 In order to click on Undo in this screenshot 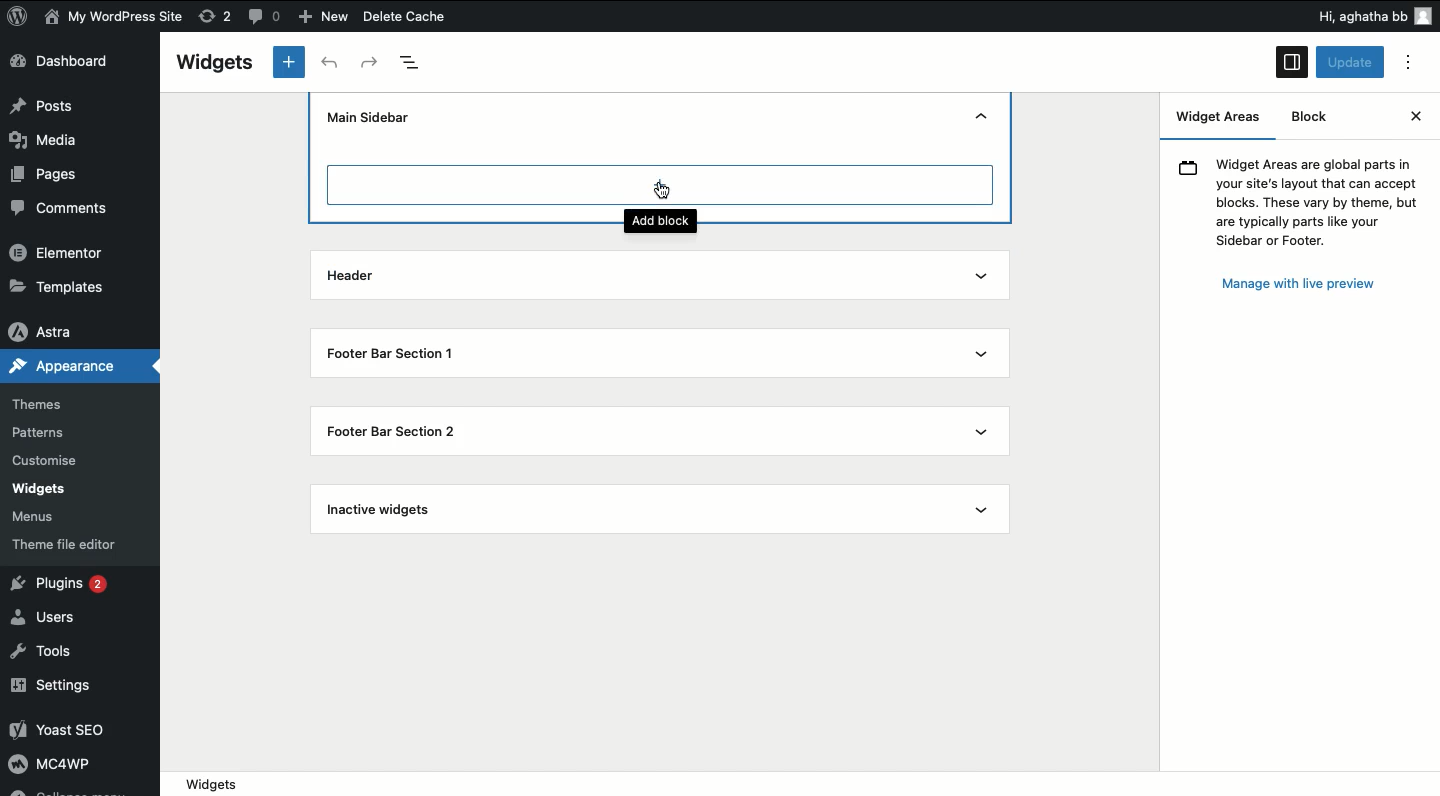, I will do `click(332, 63)`.